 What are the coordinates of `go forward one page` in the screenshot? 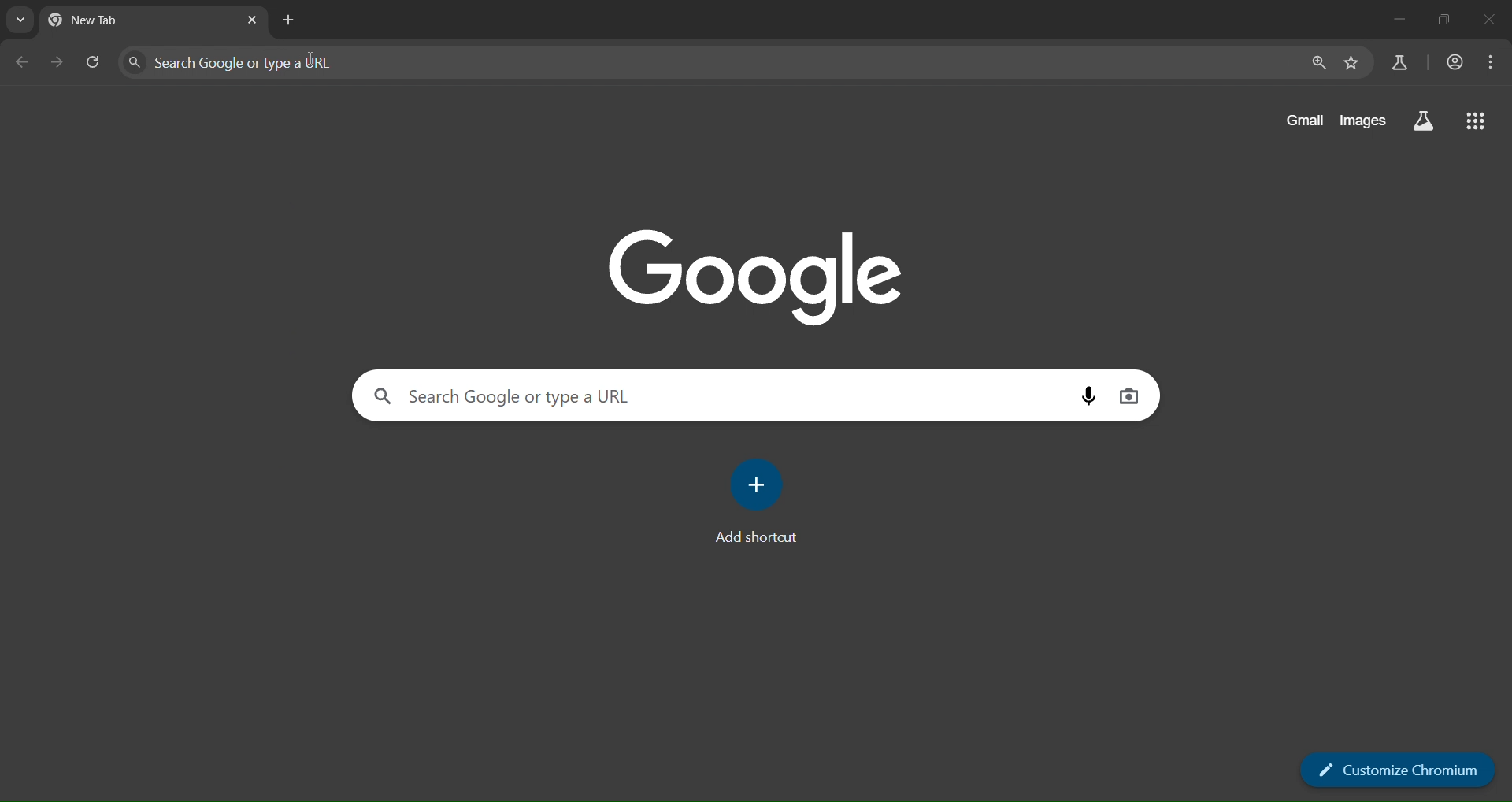 It's located at (53, 61).